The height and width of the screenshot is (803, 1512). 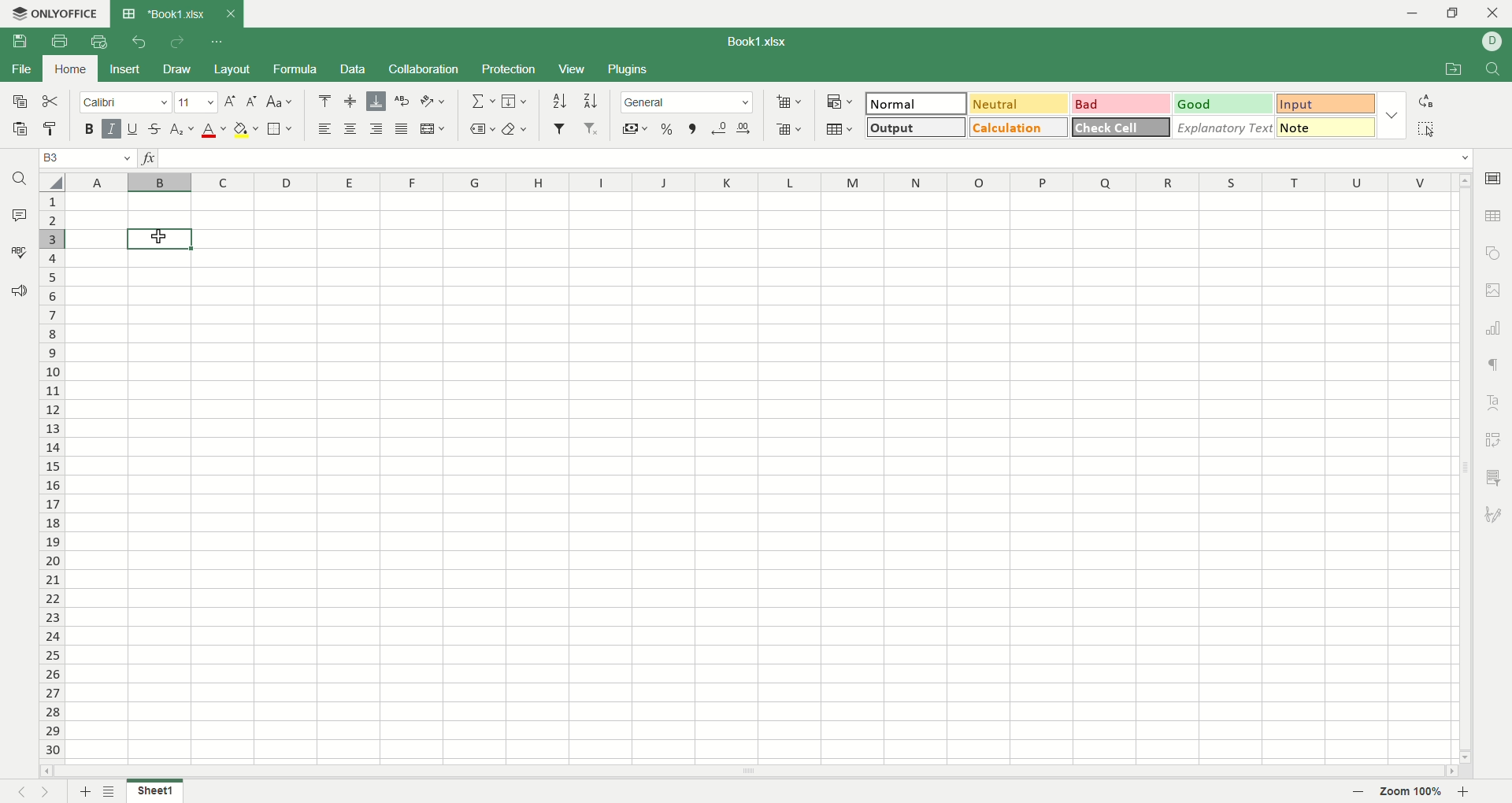 What do you see at coordinates (177, 69) in the screenshot?
I see `draw` at bounding box center [177, 69].